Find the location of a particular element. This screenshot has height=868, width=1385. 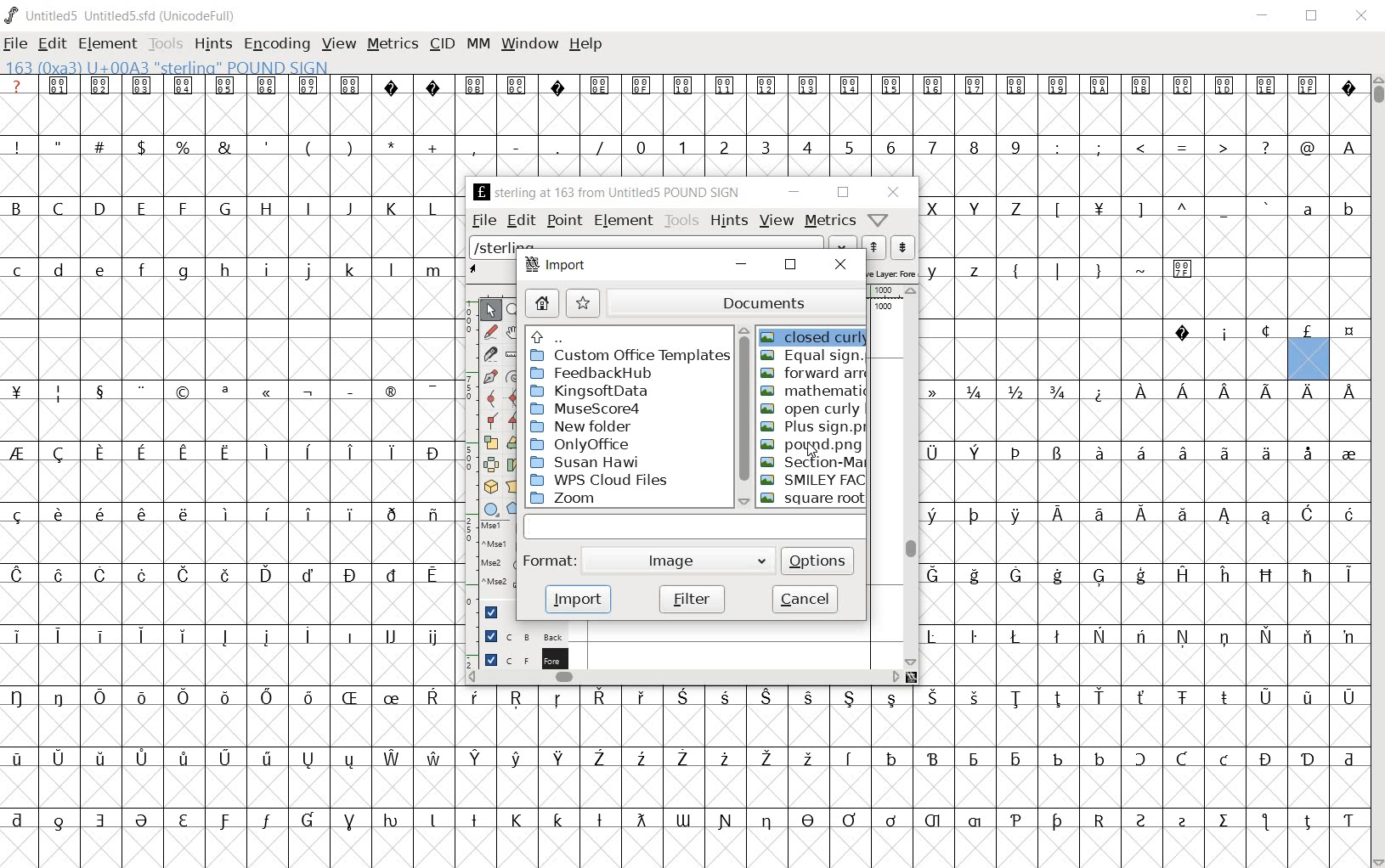

Symbol is located at coordinates (601, 699).